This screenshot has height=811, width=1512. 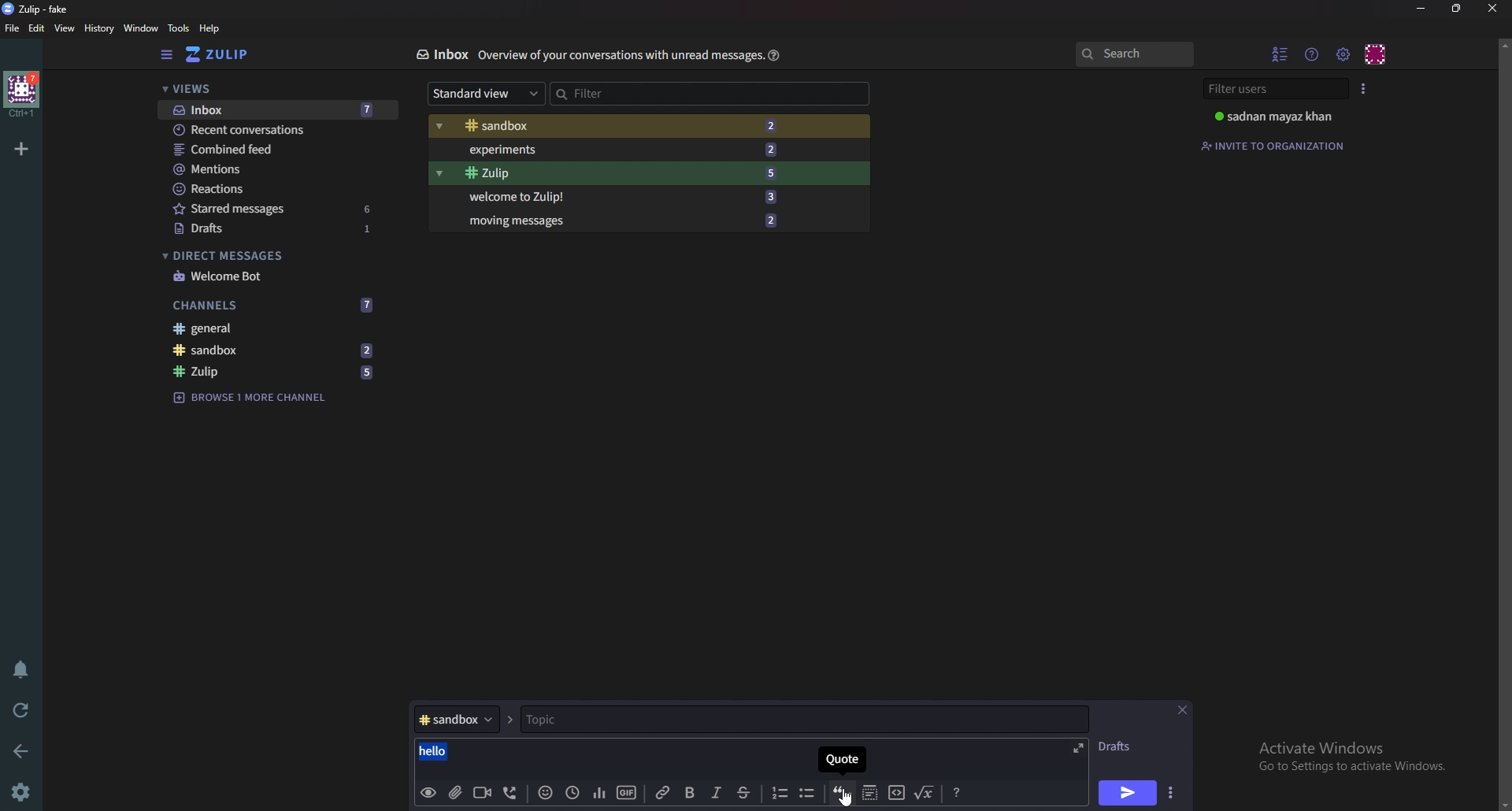 What do you see at coordinates (167, 55) in the screenshot?
I see `Hide sidebar` at bounding box center [167, 55].